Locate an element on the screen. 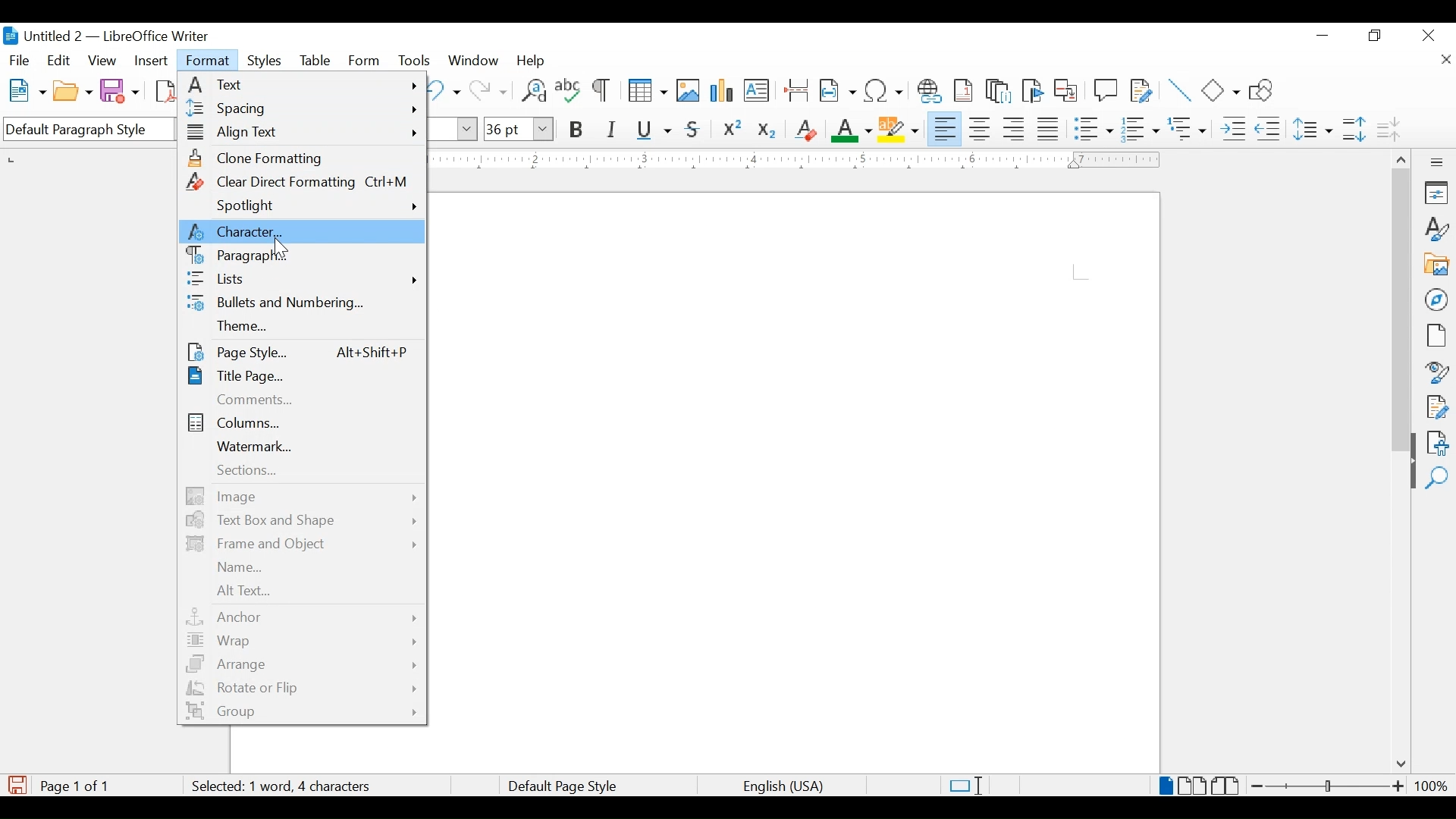 This screenshot has width=1456, height=819. increase indent is located at coordinates (1233, 129).